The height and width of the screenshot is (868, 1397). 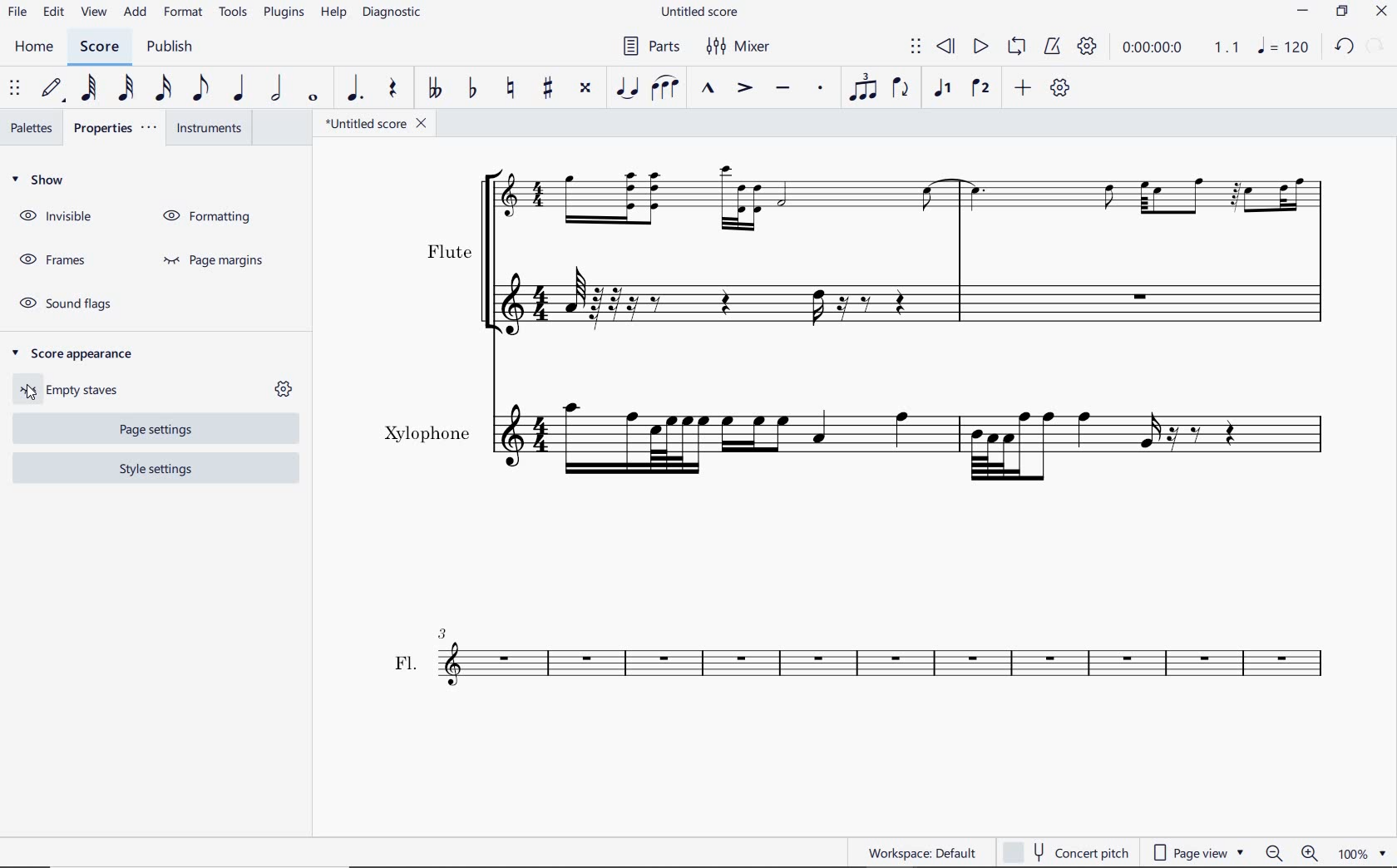 What do you see at coordinates (1380, 12) in the screenshot?
I see `CLOSE` at bounding box center [1380, 12].